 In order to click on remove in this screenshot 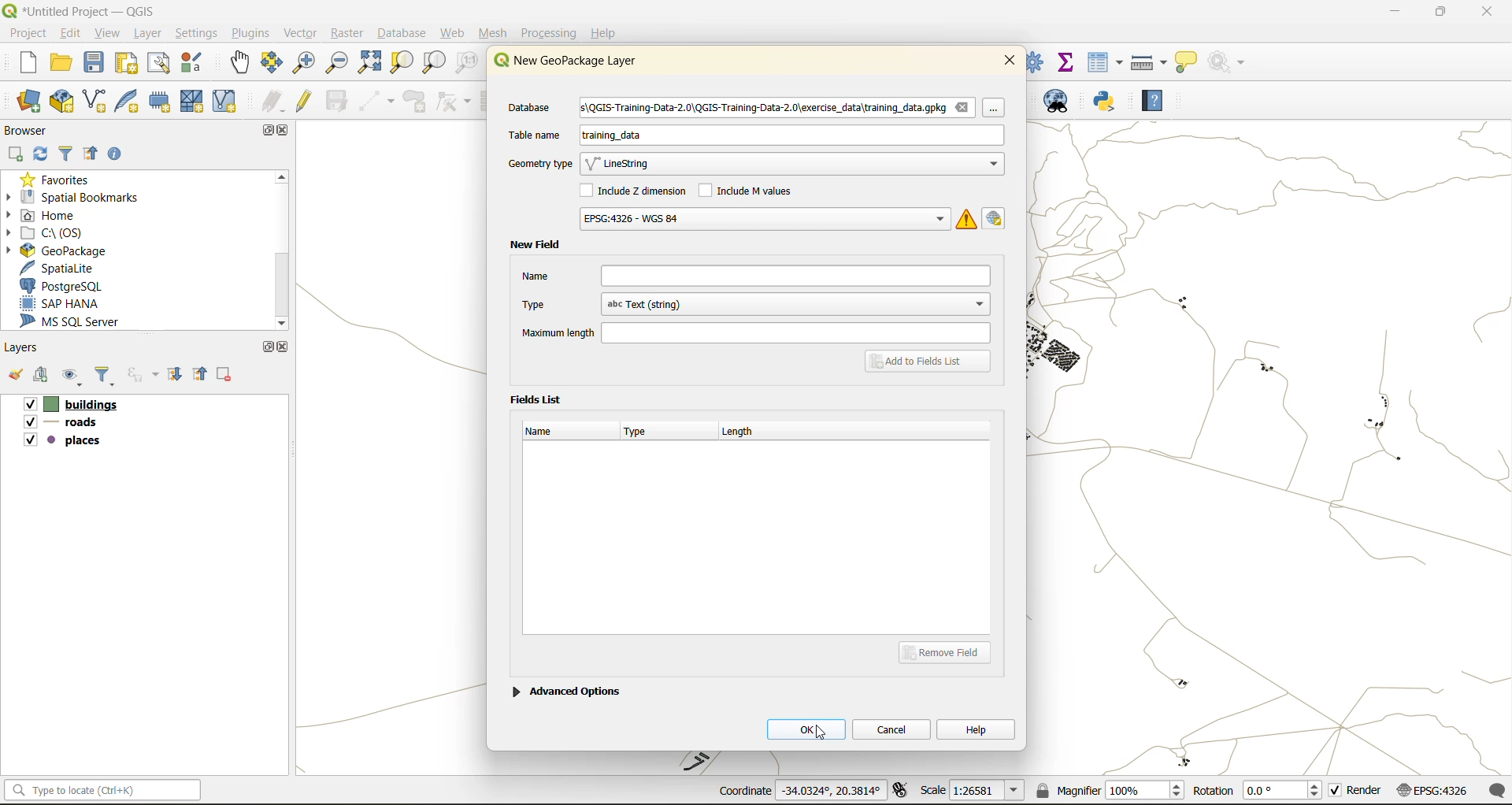, I will do `click(225, 377)`.